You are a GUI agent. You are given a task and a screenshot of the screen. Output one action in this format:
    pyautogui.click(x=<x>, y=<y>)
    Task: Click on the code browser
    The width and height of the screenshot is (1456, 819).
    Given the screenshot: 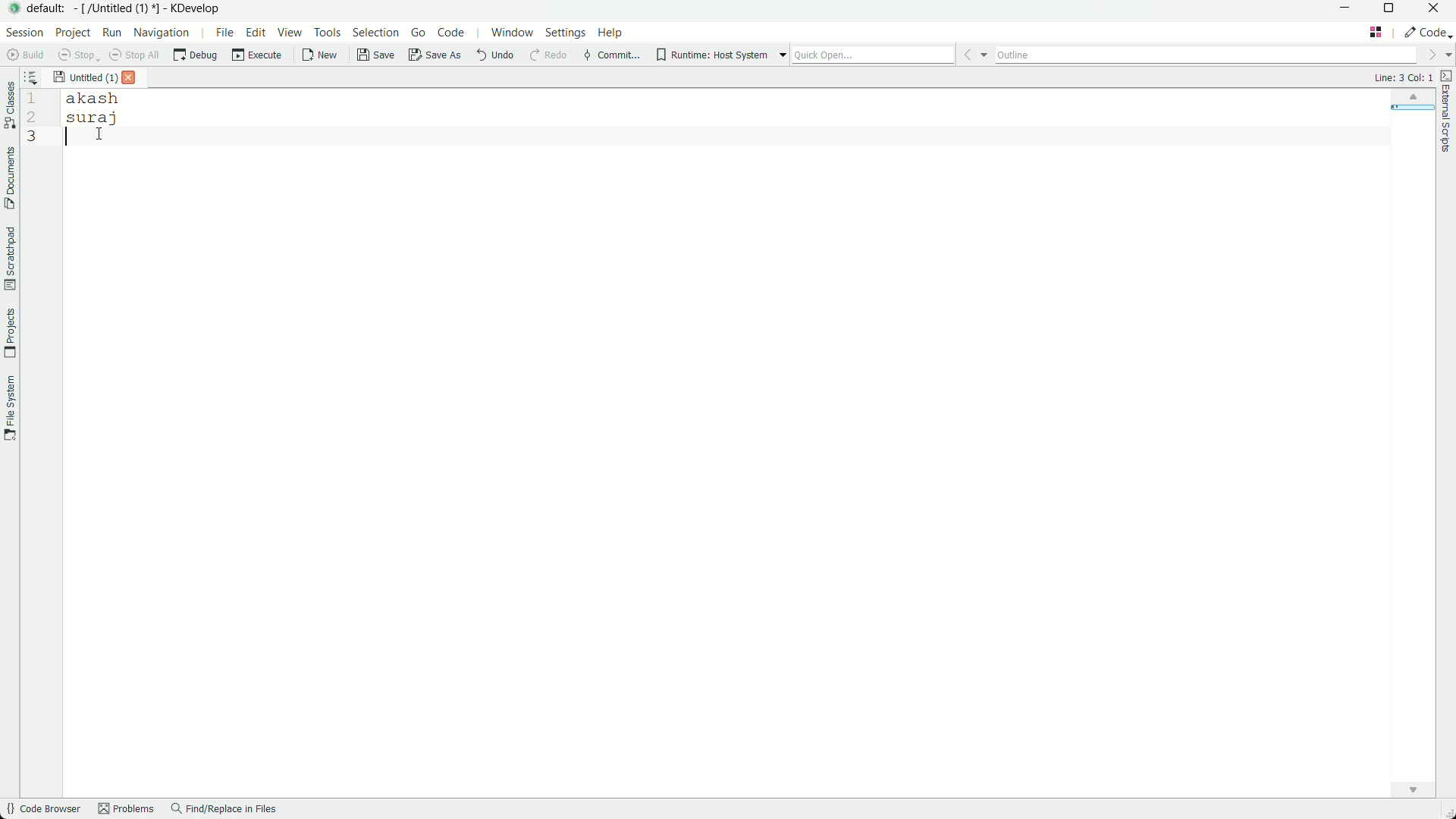 What is the action you would take?
    pyautogui.click(x=42, y=810)
    